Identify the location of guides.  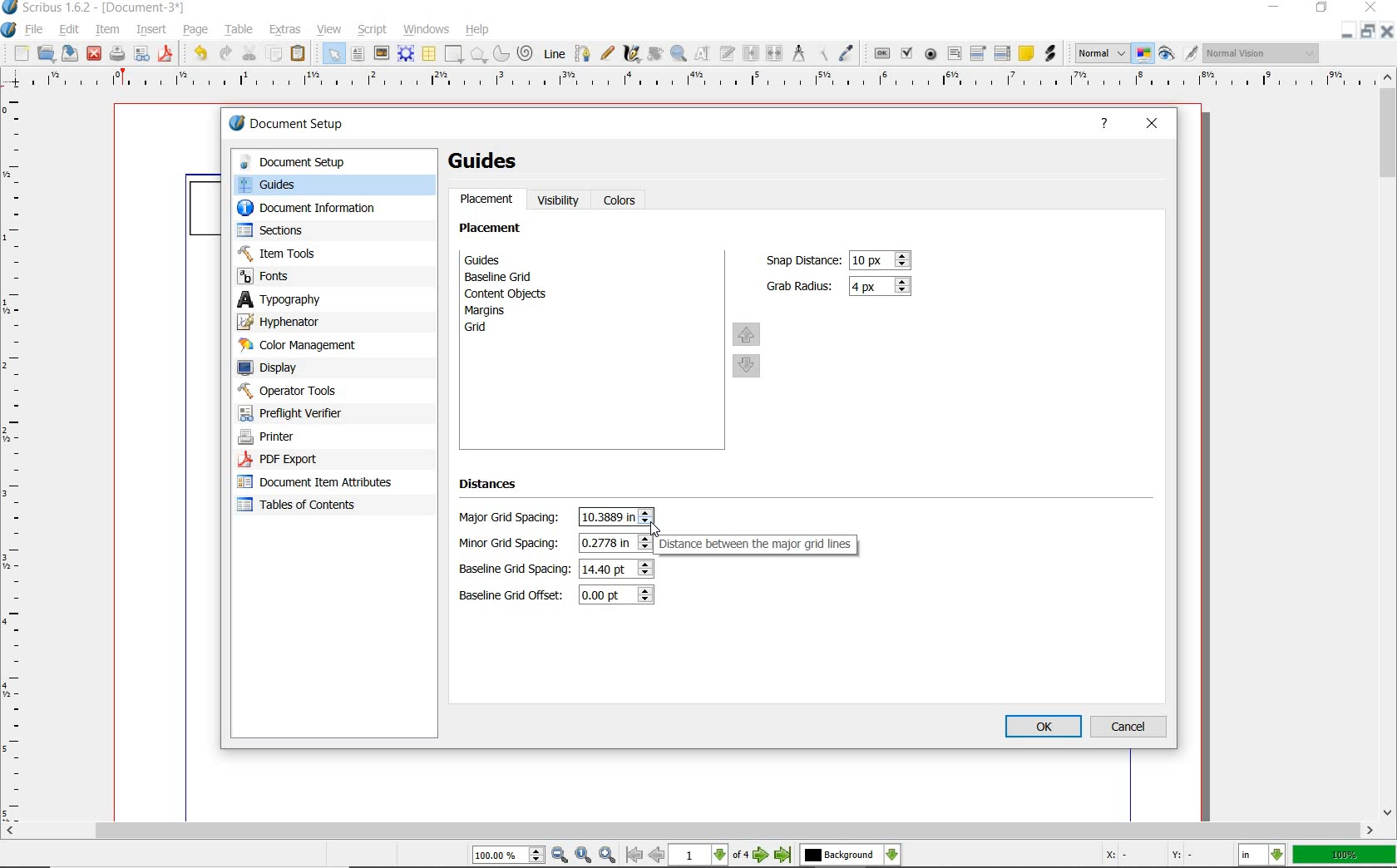
(333, 186).